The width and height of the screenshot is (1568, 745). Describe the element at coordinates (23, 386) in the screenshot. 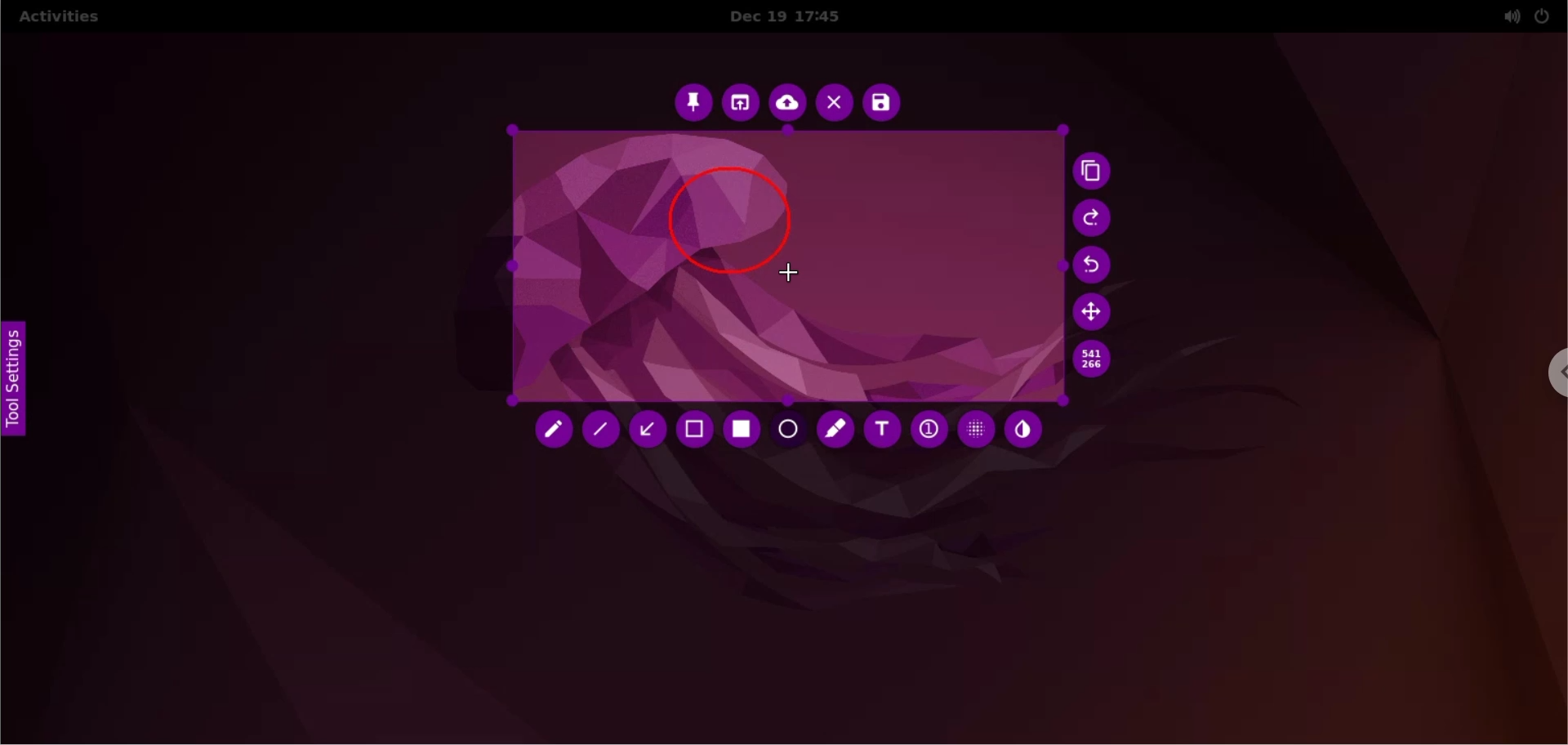

I see `tool settings` at that location.